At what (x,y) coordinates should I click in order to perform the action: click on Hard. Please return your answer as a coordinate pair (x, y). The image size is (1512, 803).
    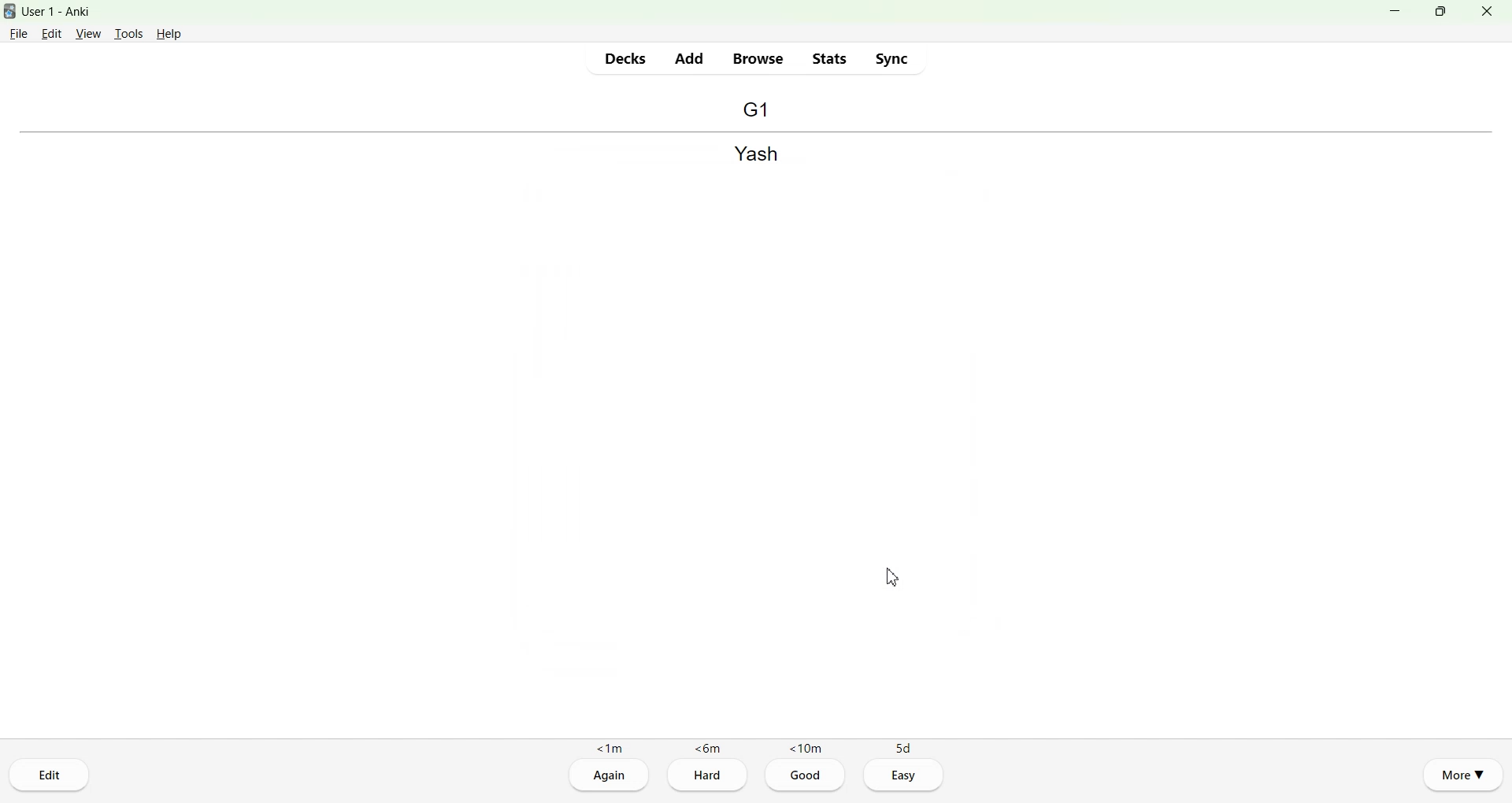
    Looking at the image, I should click on (707, 777).